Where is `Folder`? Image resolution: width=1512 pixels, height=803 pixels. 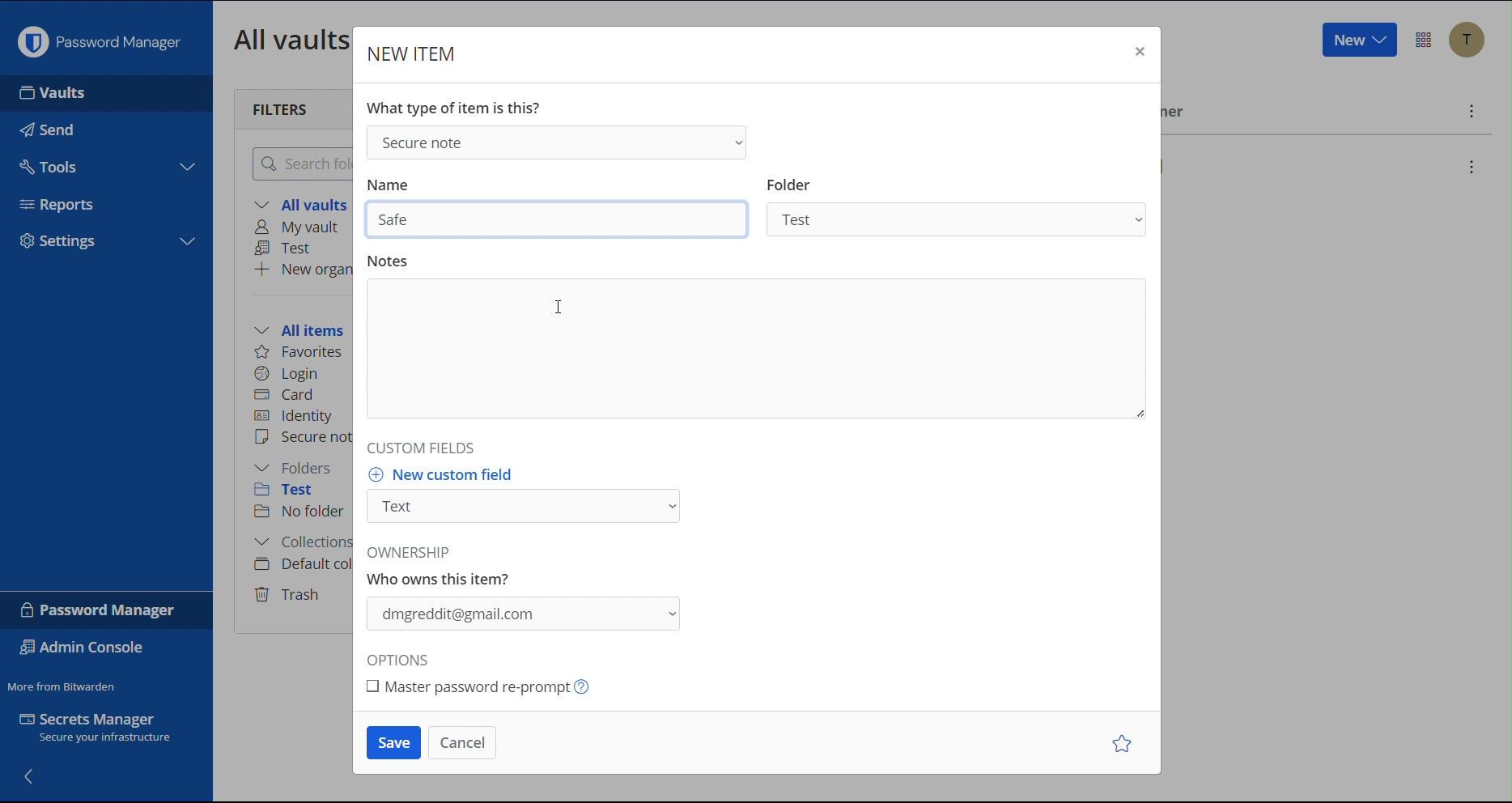 Folder is located at coordinates (958, 219).